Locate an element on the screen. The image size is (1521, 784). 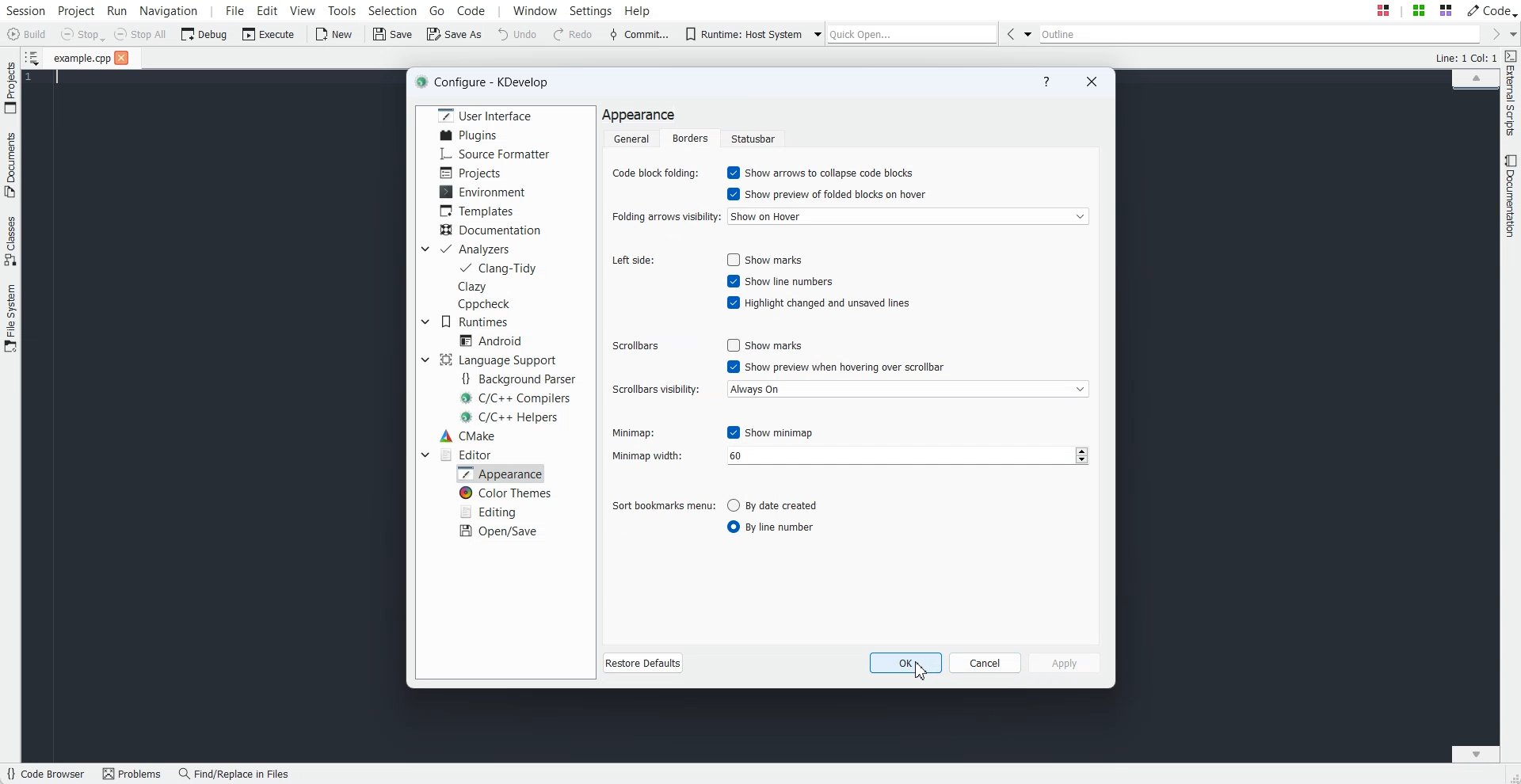
Project is located at coordinates (75, 10).